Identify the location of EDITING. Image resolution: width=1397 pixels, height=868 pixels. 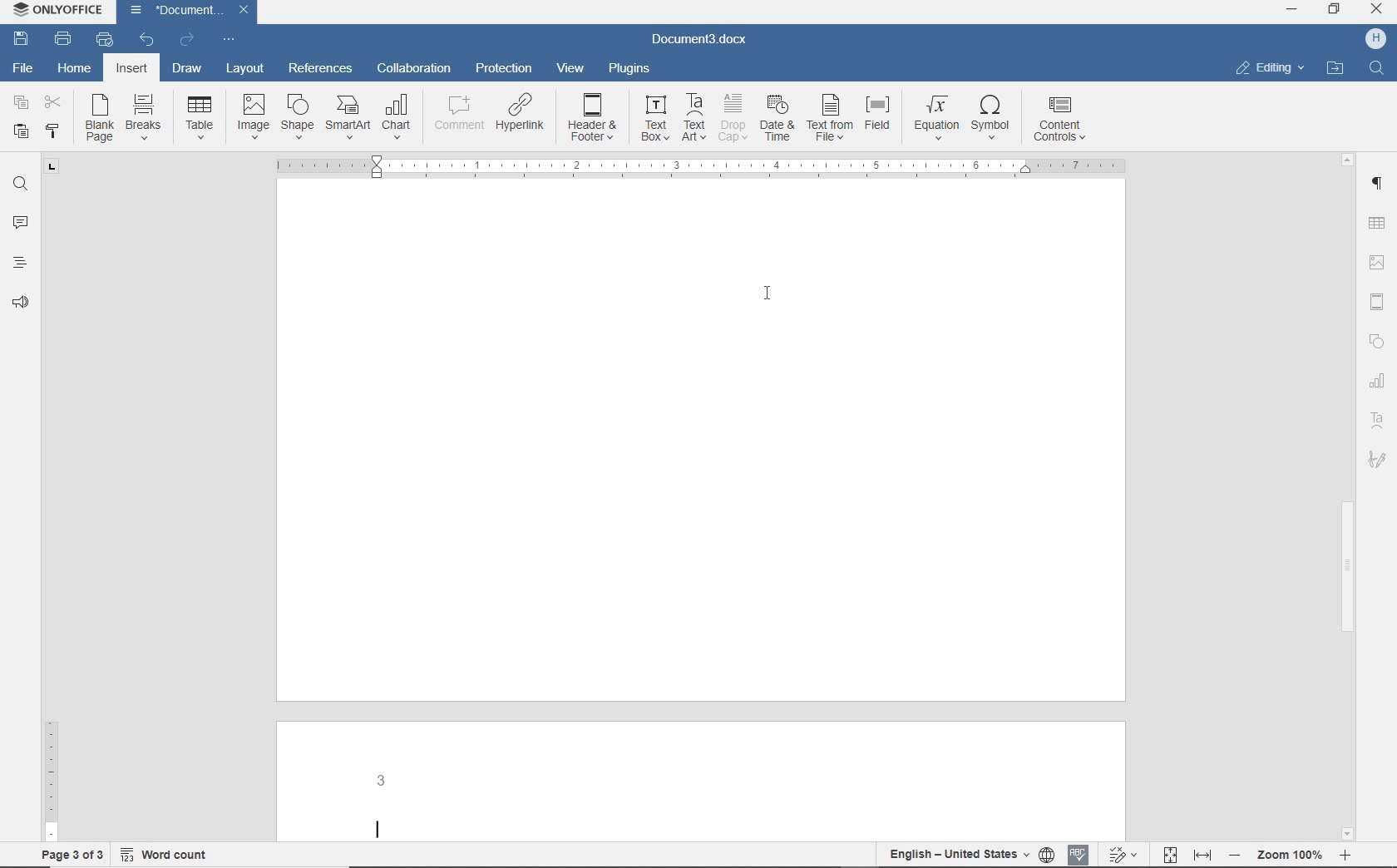
(1269, 69).